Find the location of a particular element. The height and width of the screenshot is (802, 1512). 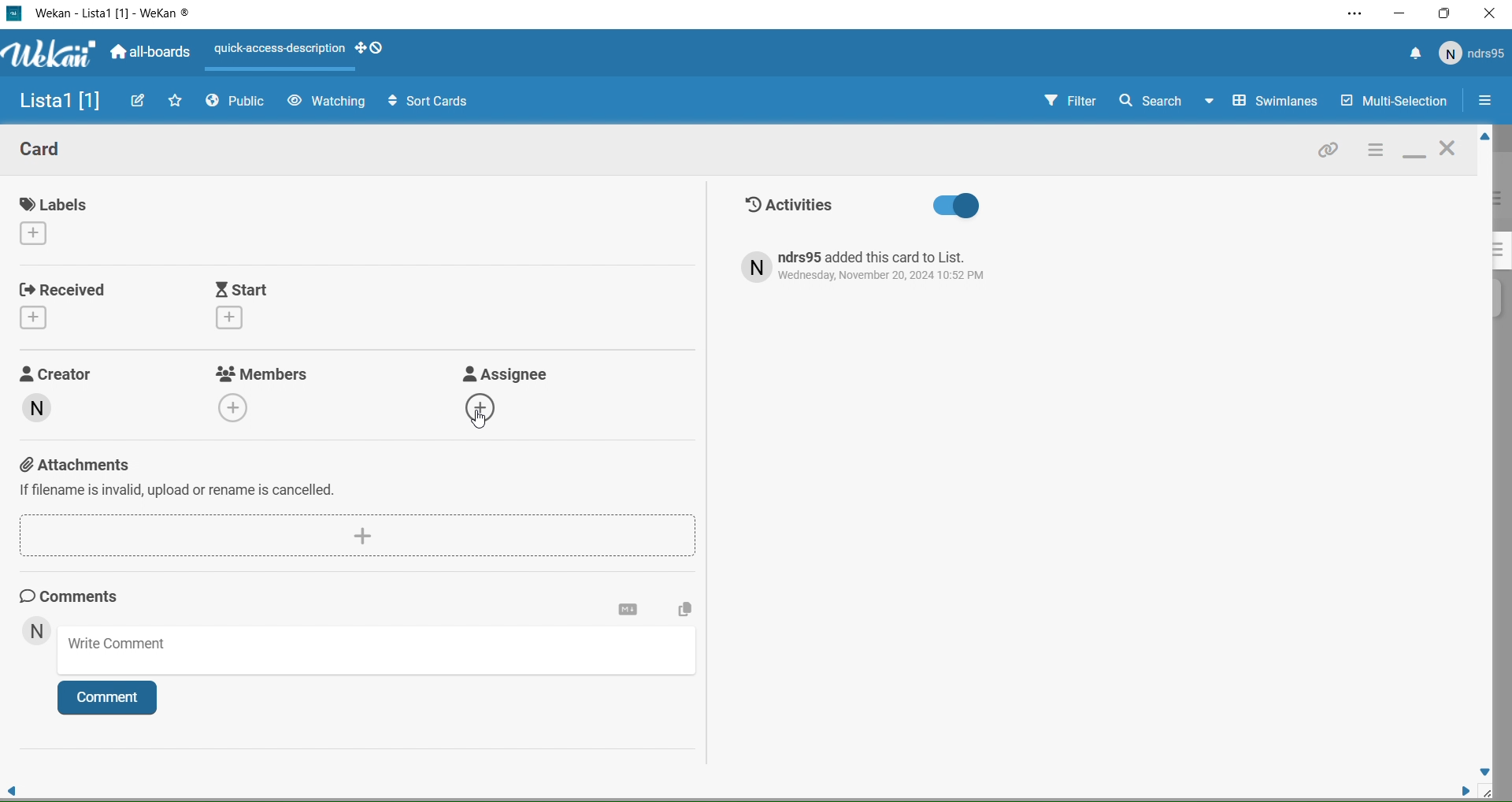

Name is located at coordinates (55, 102).